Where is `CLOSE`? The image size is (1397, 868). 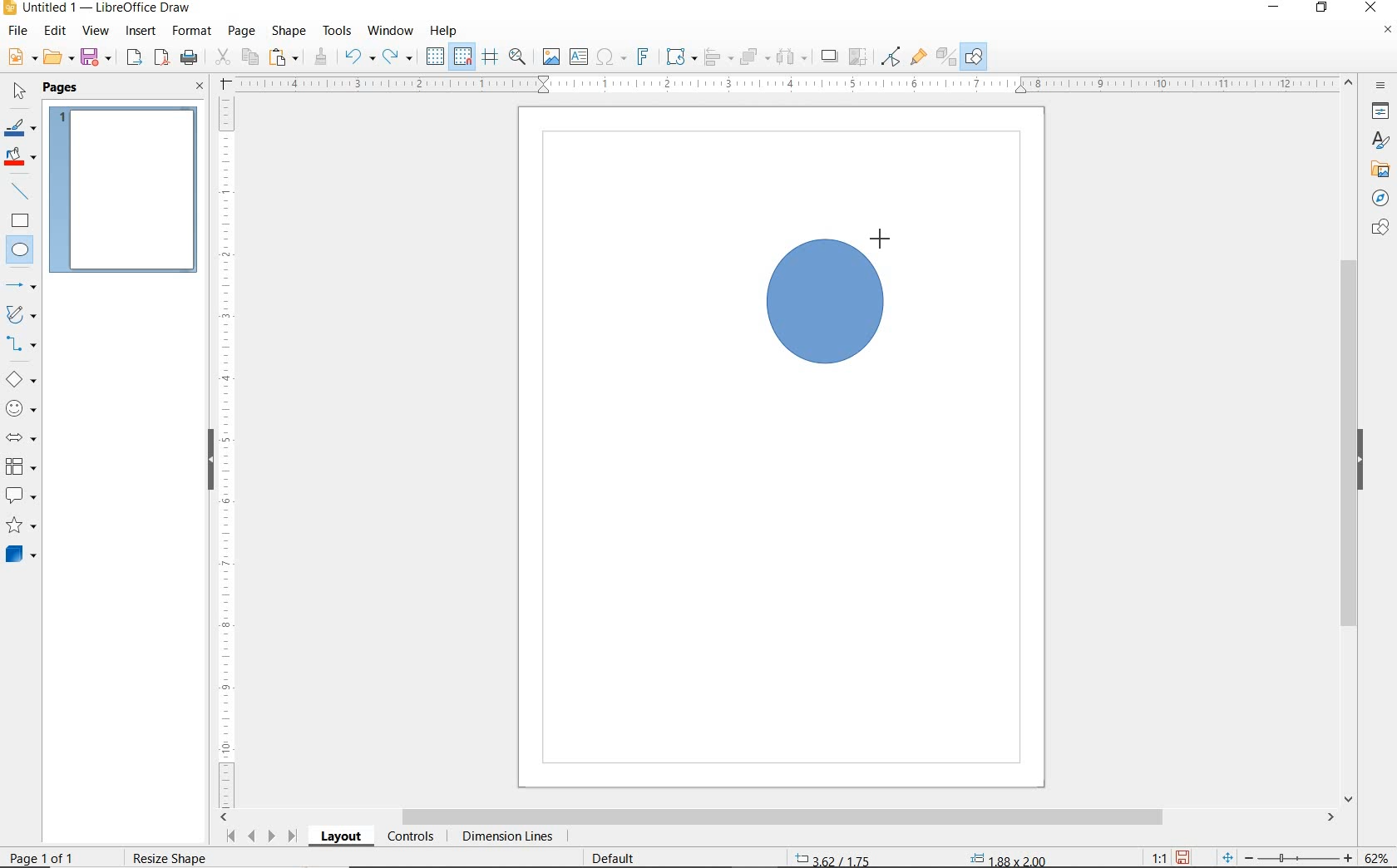
CLOSE is located at coordinates (200, 87).